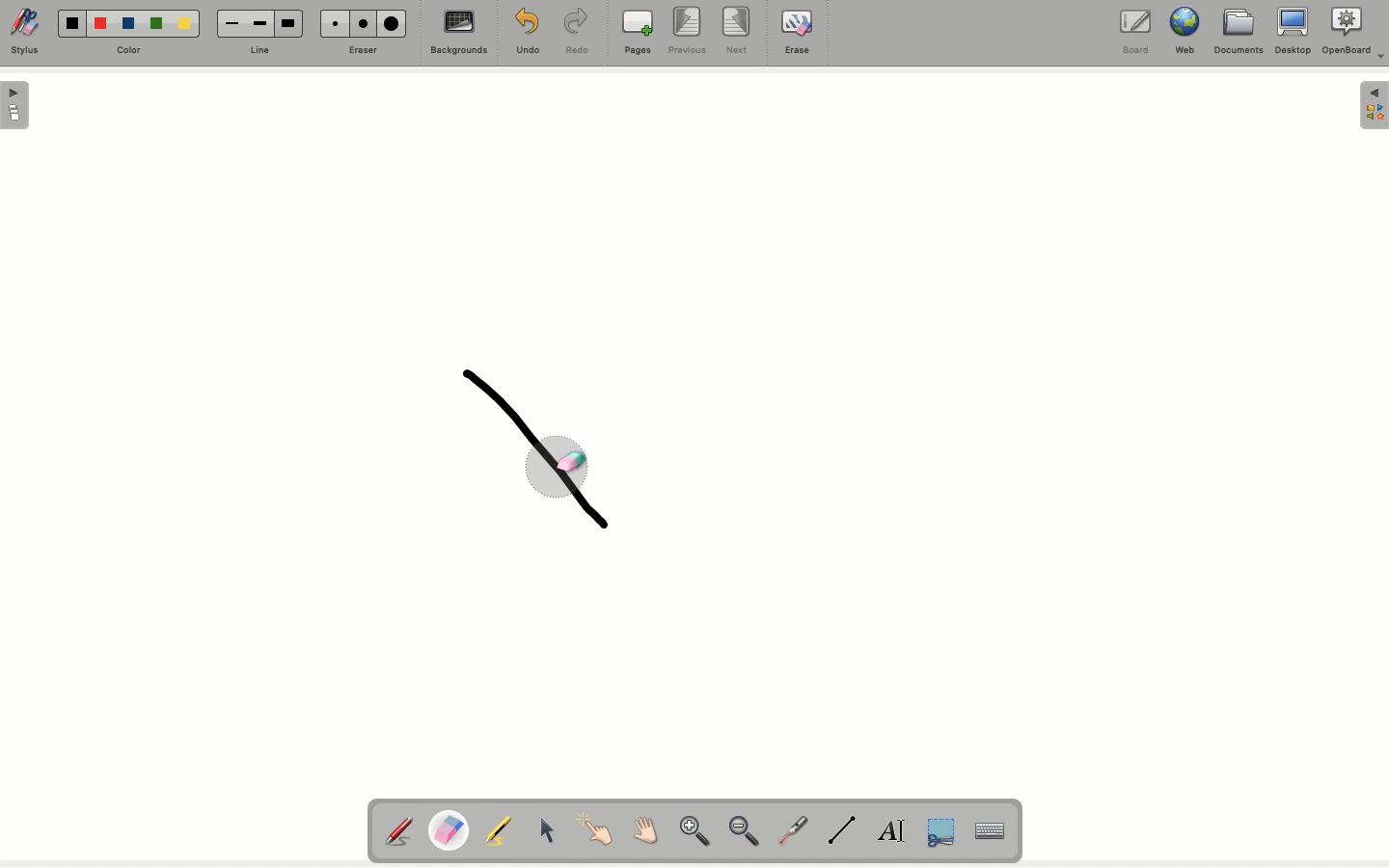 This screenshot has width=1389, height=868. What do you see at coordinates (259, 24) in the screenshot?
I see `Medium` at bounding box center [259, 24].